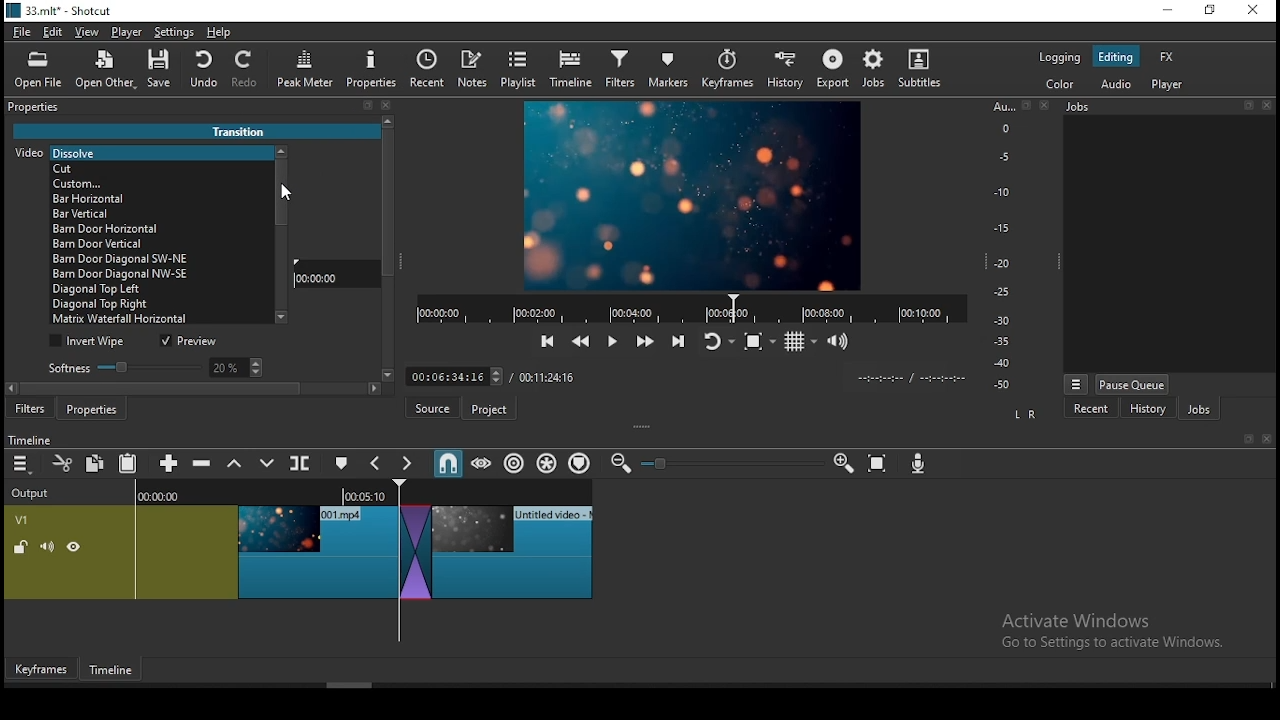 Image resolution: width=1280 pixels, height=720 pixels. I want to click on , so click(1266, 440).